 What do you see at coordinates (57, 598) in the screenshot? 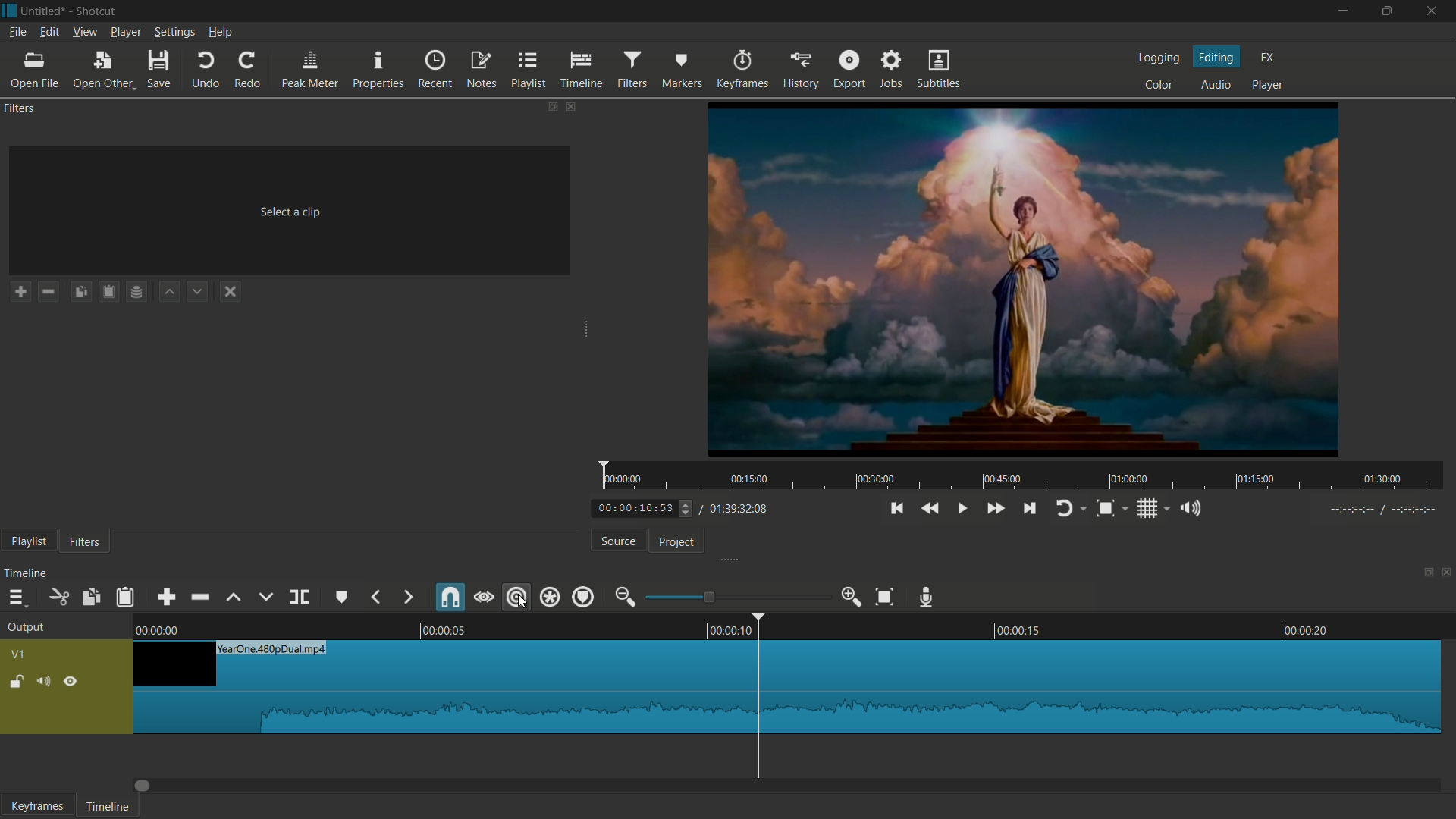
I see `cut` at bounding box center [57, 598].